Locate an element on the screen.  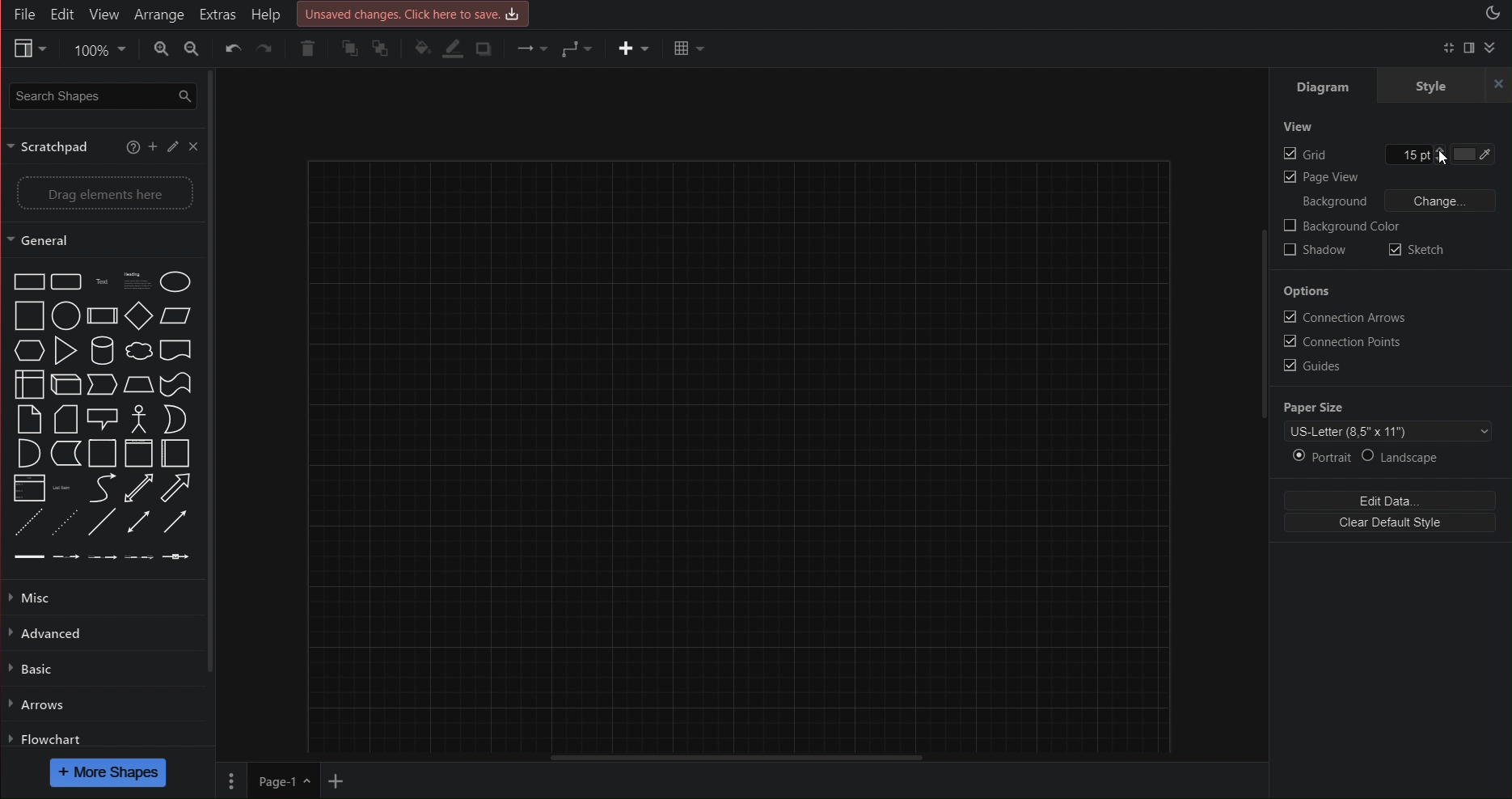
Scrollbar is located at coordinates (1261, 362).